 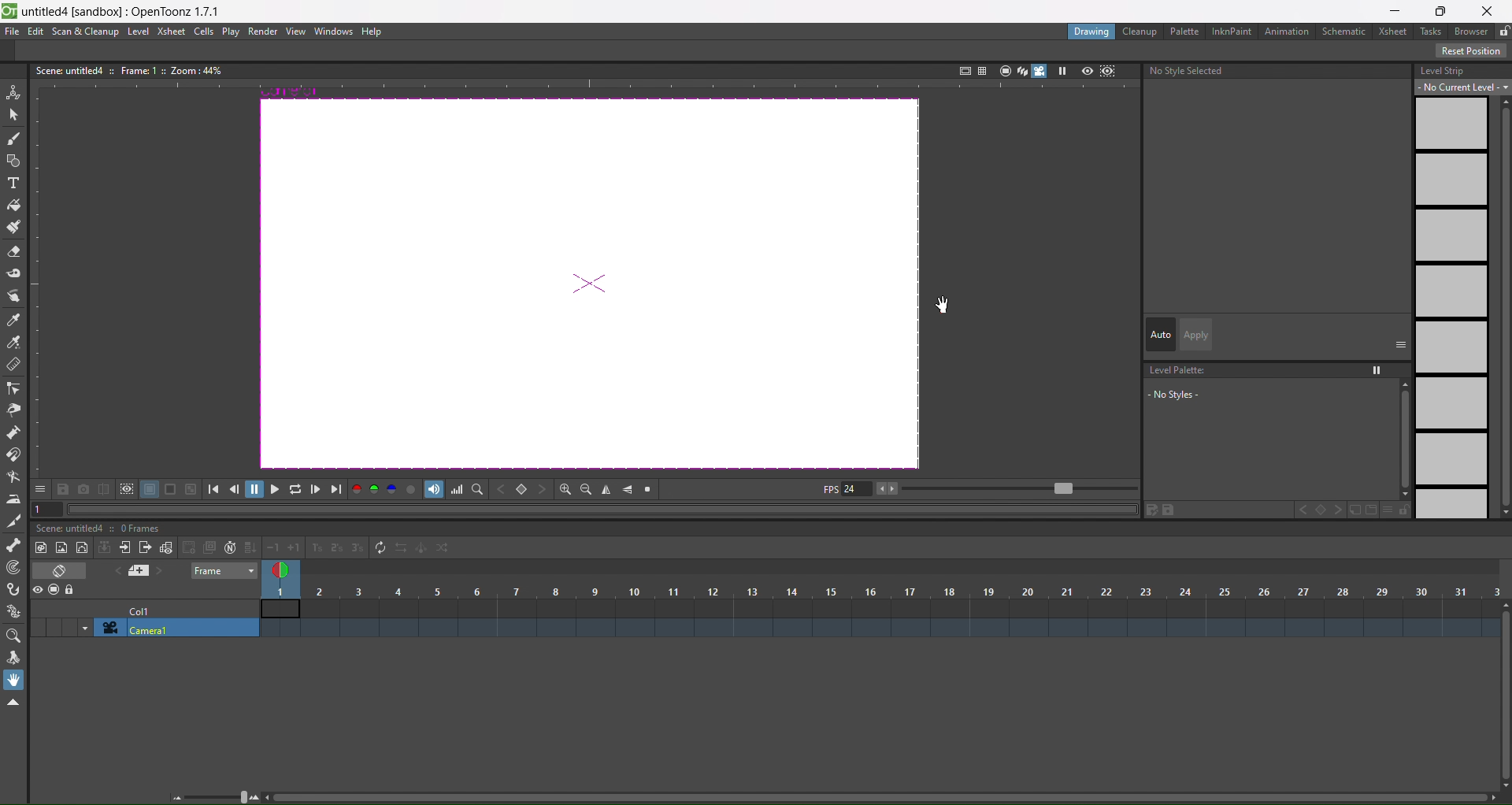 I want to click on toggle xsheet, so click(x=65, y=570).